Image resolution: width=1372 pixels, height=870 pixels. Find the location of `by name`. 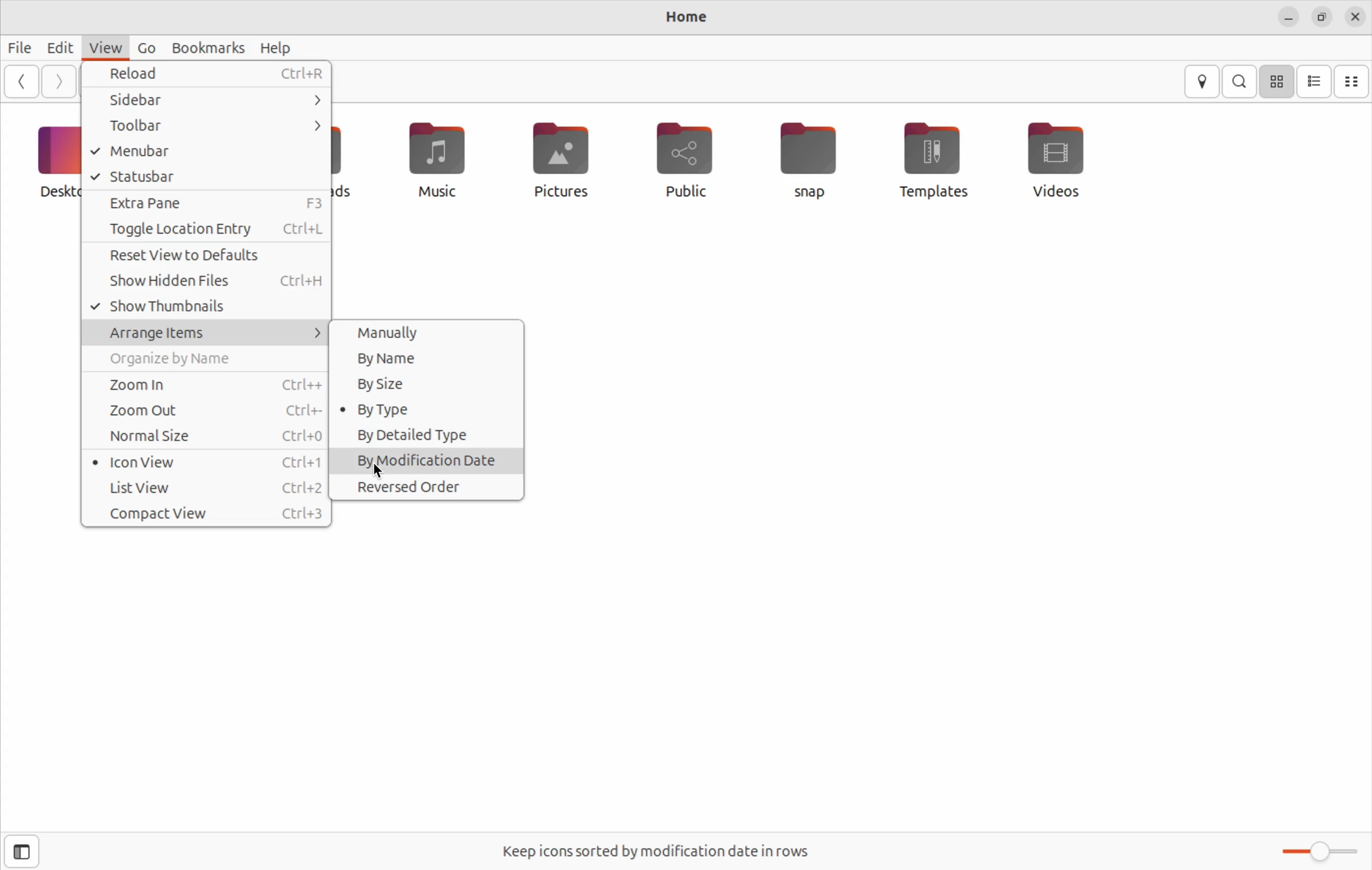

by name is located at coordinates (427, 358).